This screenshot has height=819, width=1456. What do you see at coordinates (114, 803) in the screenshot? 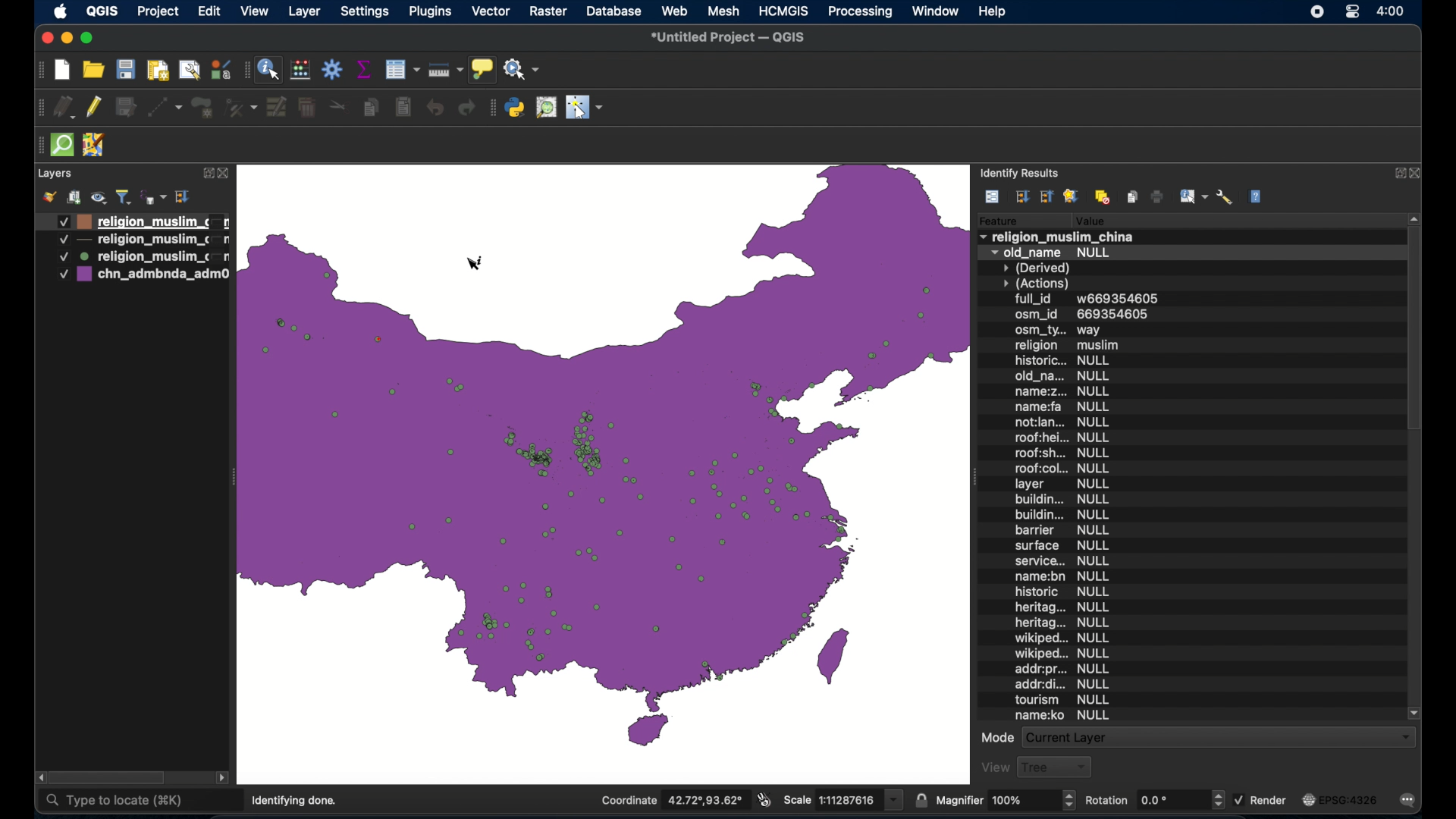
I see `type to locate` at bounding box center [114, 803].